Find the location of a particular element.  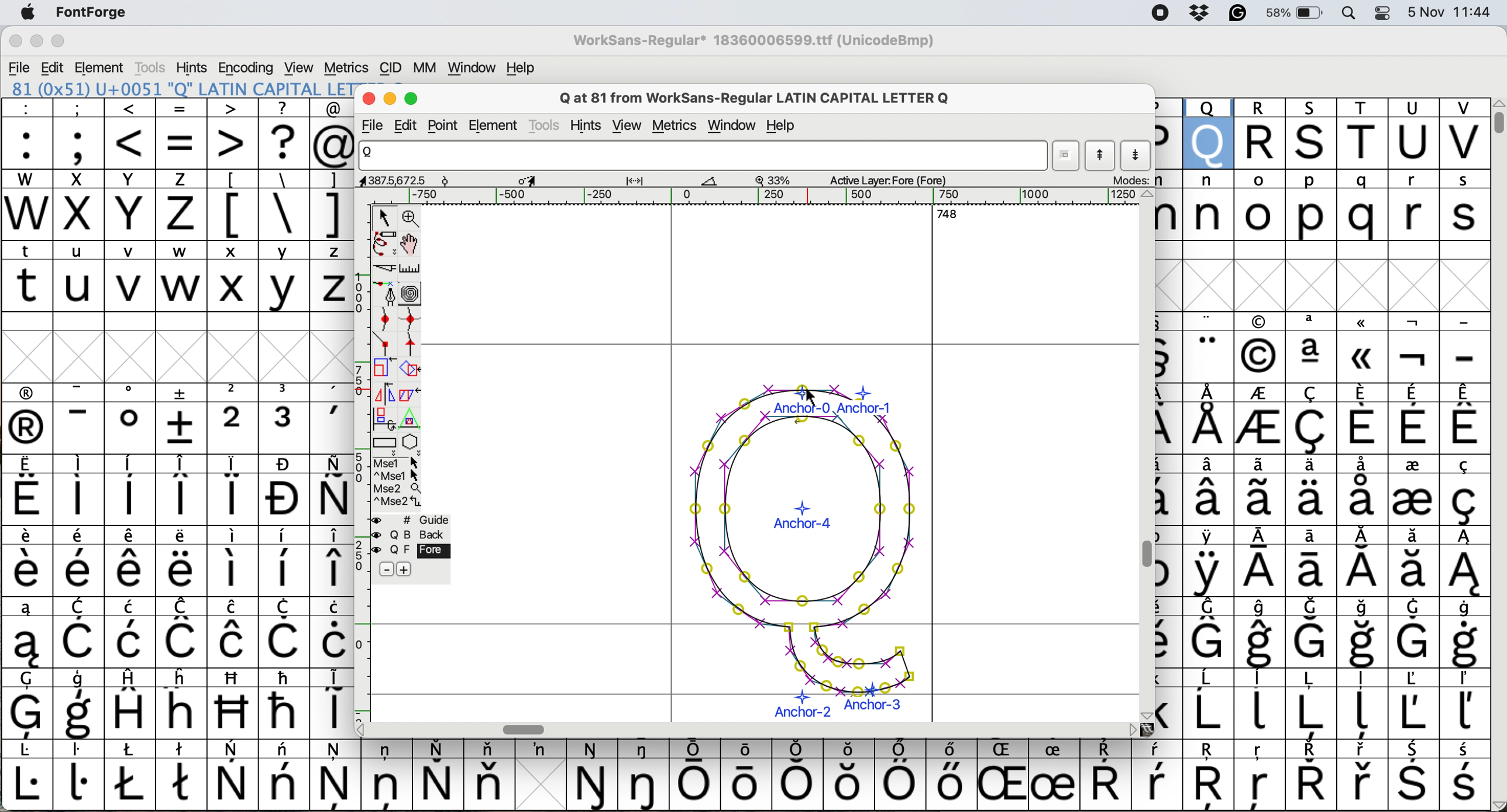

skew the selection is located at coordinates (409, 394).